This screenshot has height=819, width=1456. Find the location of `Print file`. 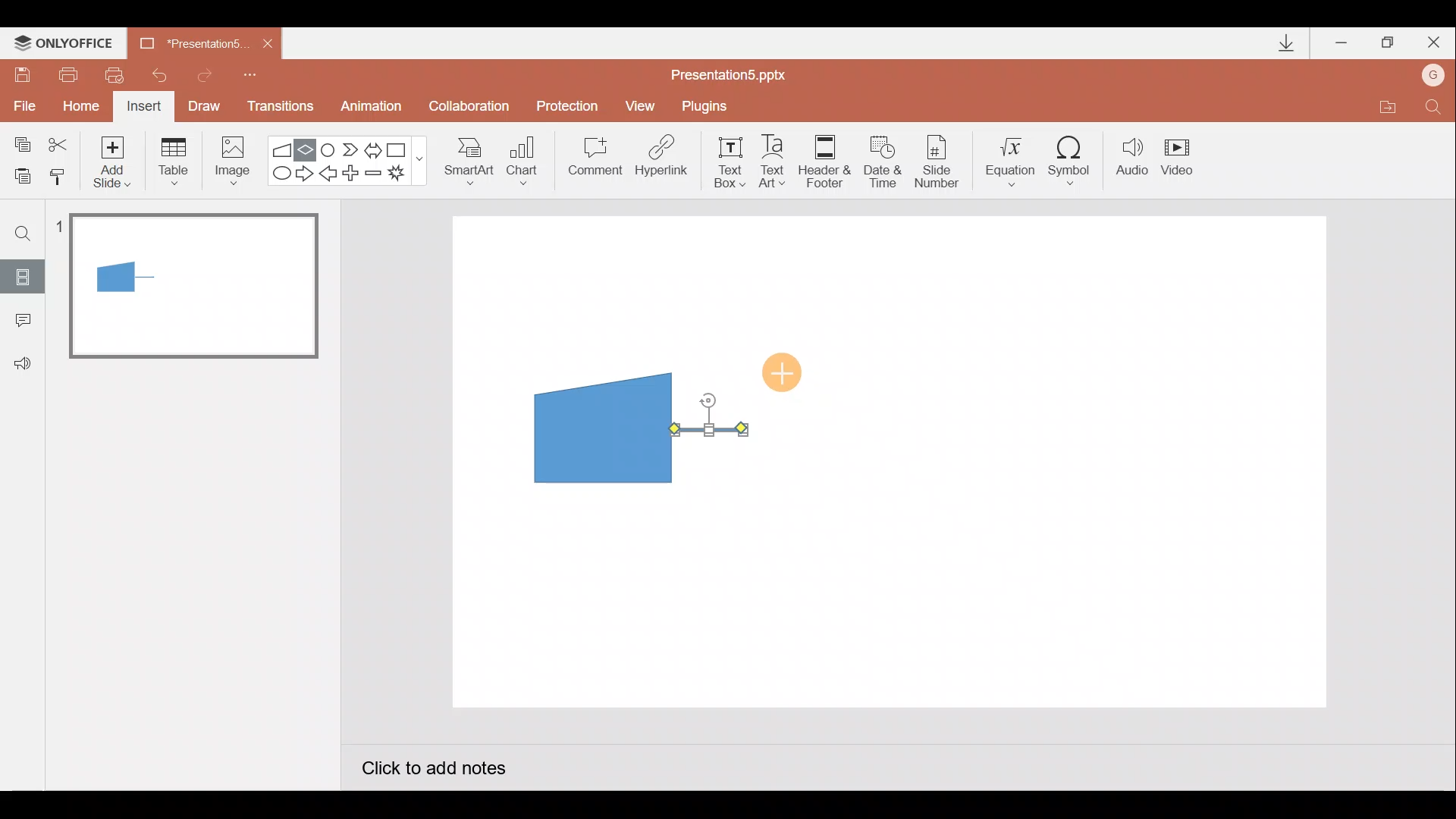

Print file is located at coordinates (65, 74).